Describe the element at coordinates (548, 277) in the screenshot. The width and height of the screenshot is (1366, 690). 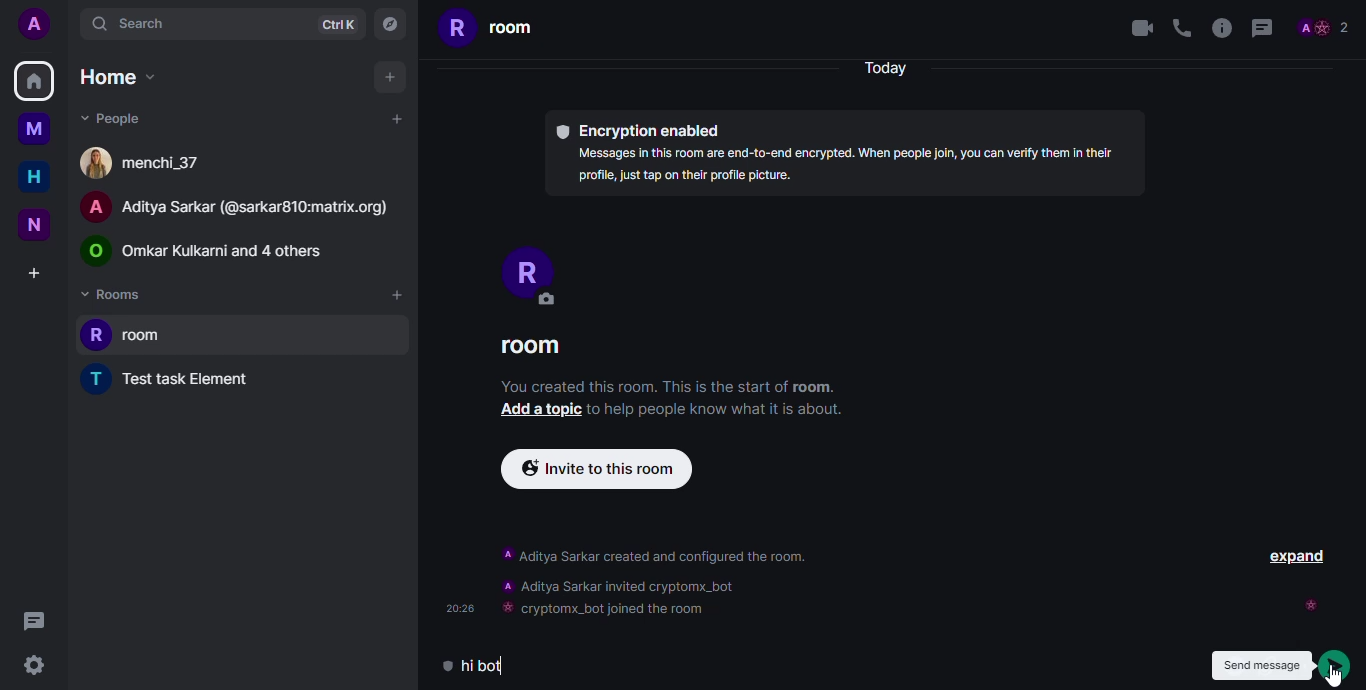
I see `PROFILE` at that location.